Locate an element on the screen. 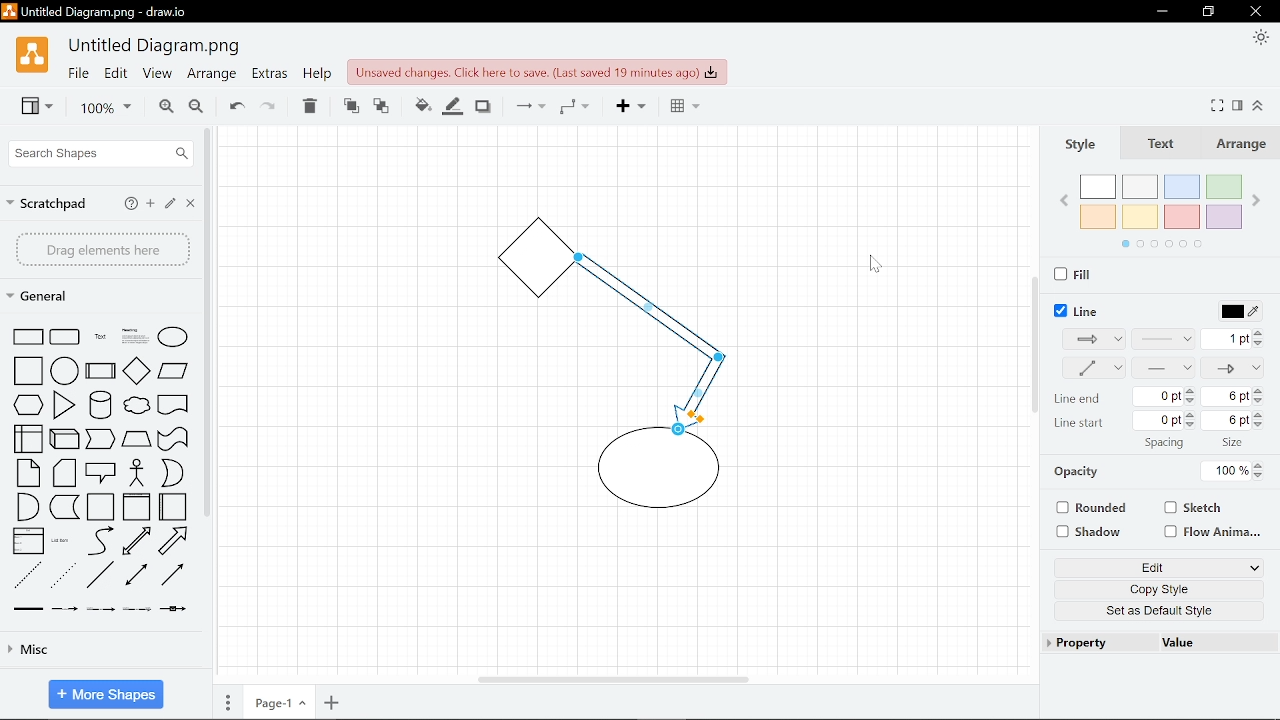 The height and width of the screenshot is (720, 1280). + is located at coordinates (332, 704).